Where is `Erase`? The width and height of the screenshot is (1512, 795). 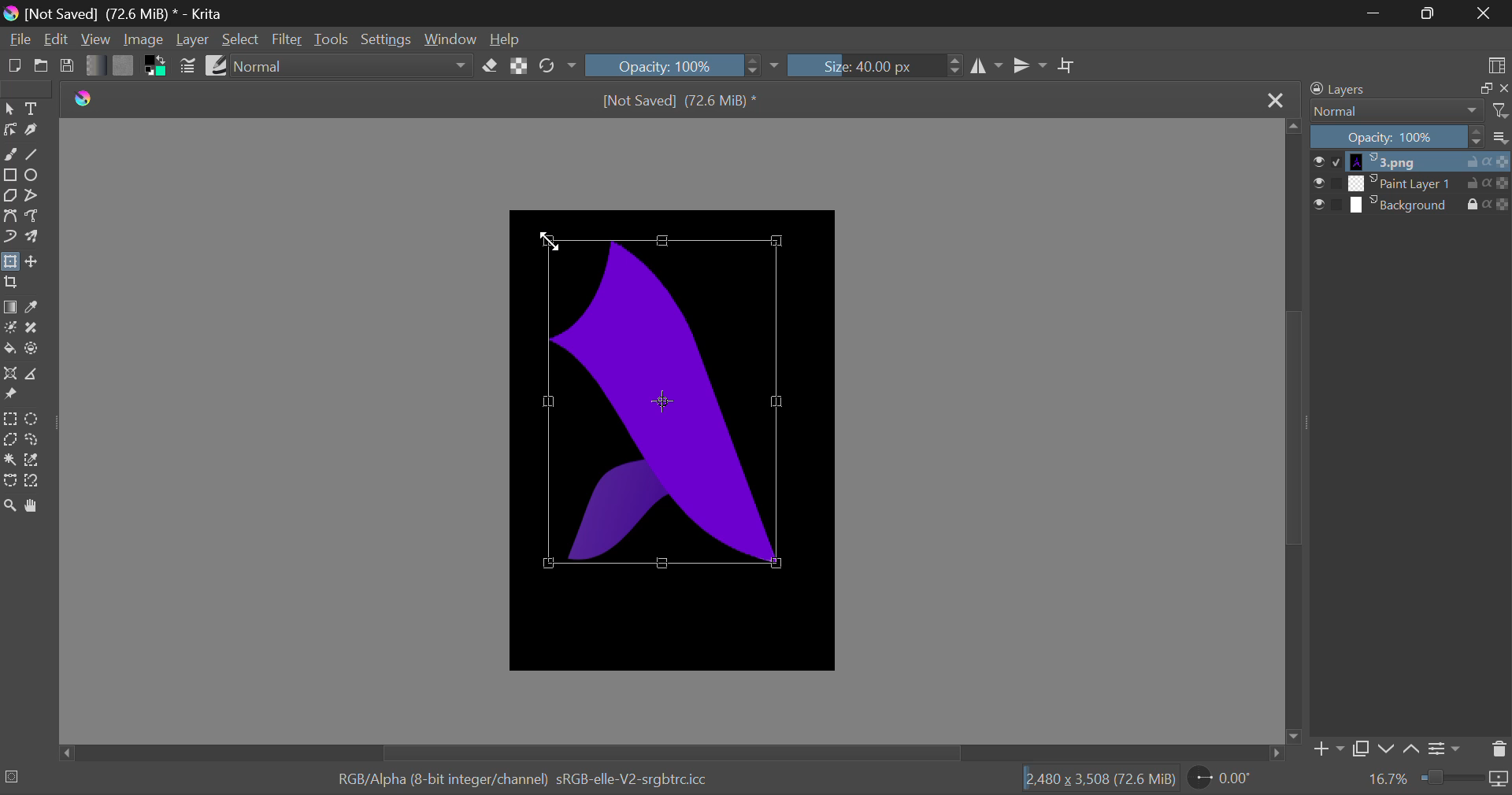 Erase is located at coordinates (491, 66).